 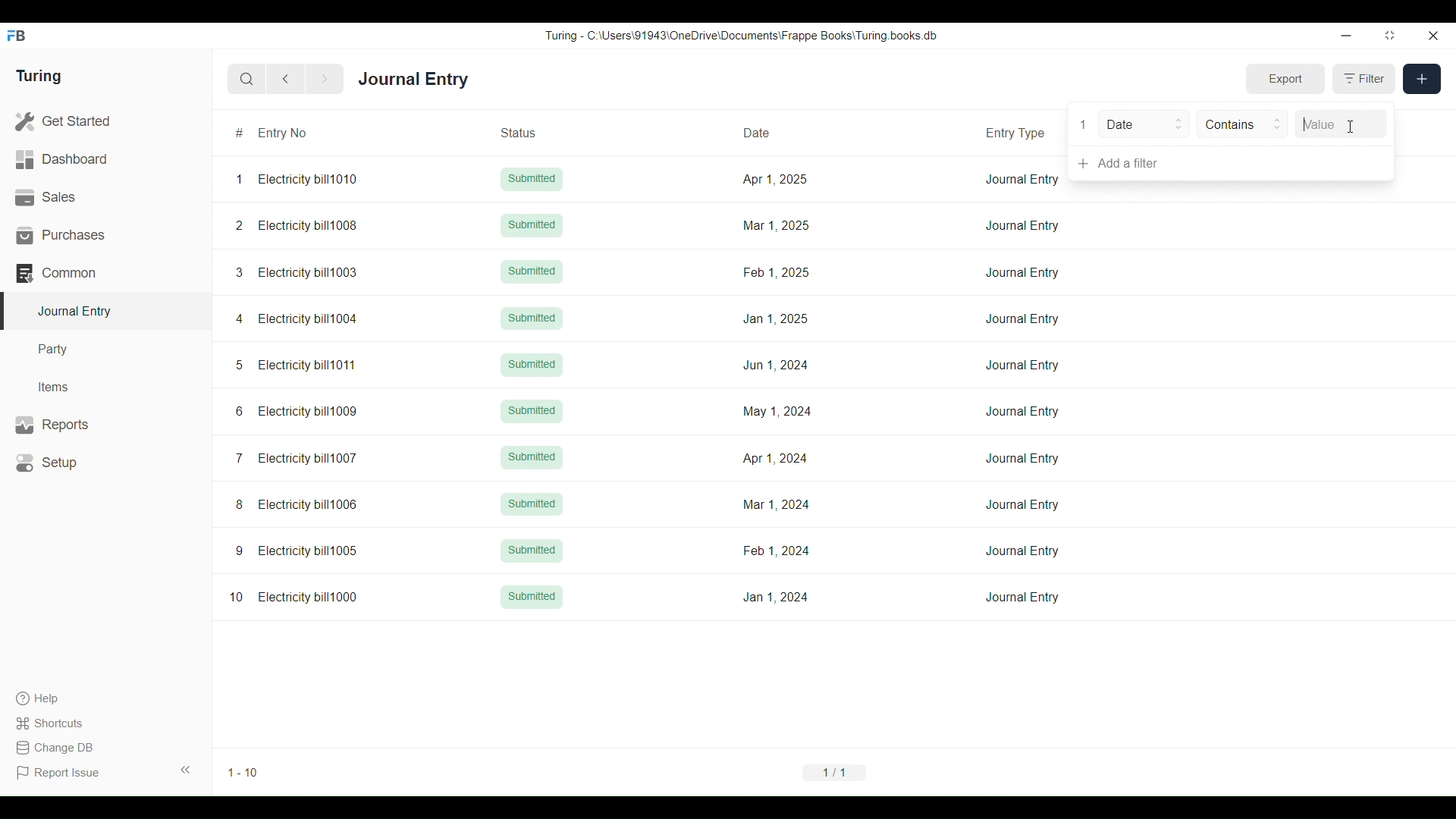 I want to click on Items, so click(x=106, y=388).